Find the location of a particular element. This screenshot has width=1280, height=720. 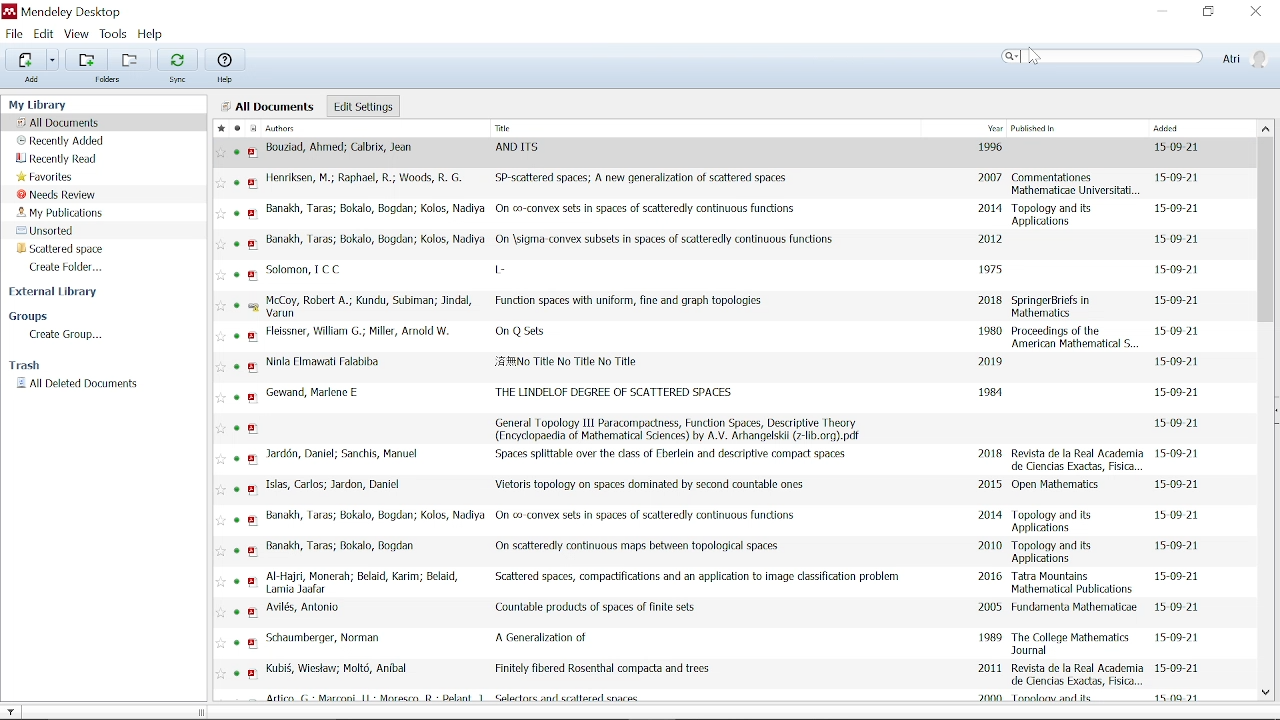

My Library is located at coordinates (88, 105).